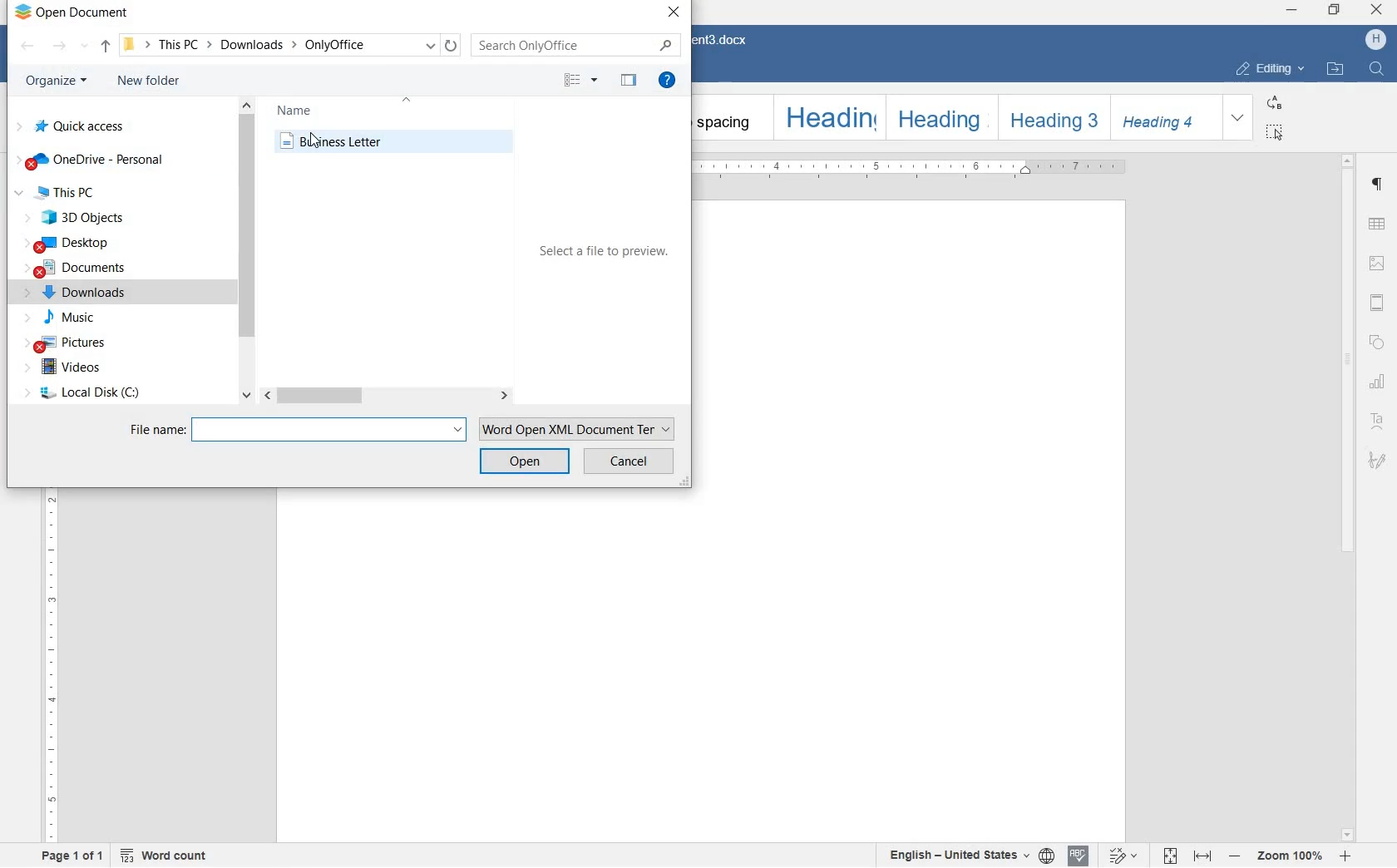 This screenshot has width=1397, height=868. What do you see at coordinates (1291, 855) in the screenshot?
I see `zoom in or out` at bounding box center [1291, 855].